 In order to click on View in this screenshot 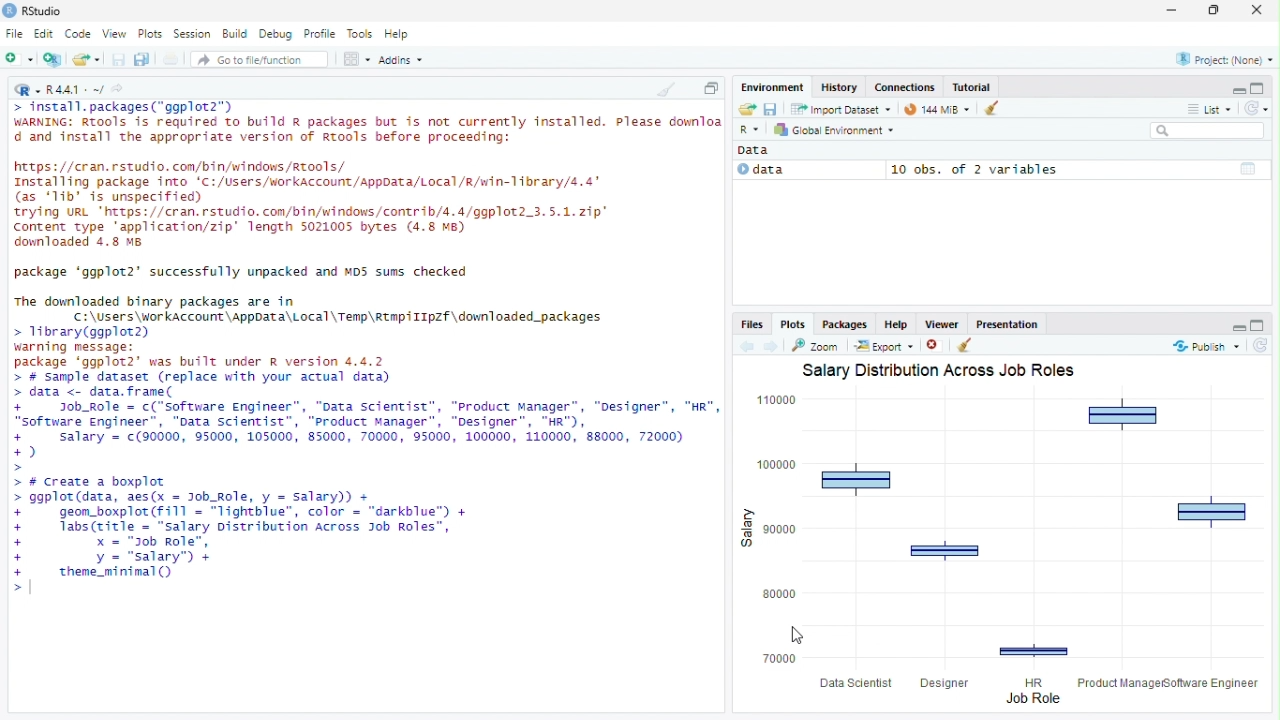, I will do `click(113, 34)`.